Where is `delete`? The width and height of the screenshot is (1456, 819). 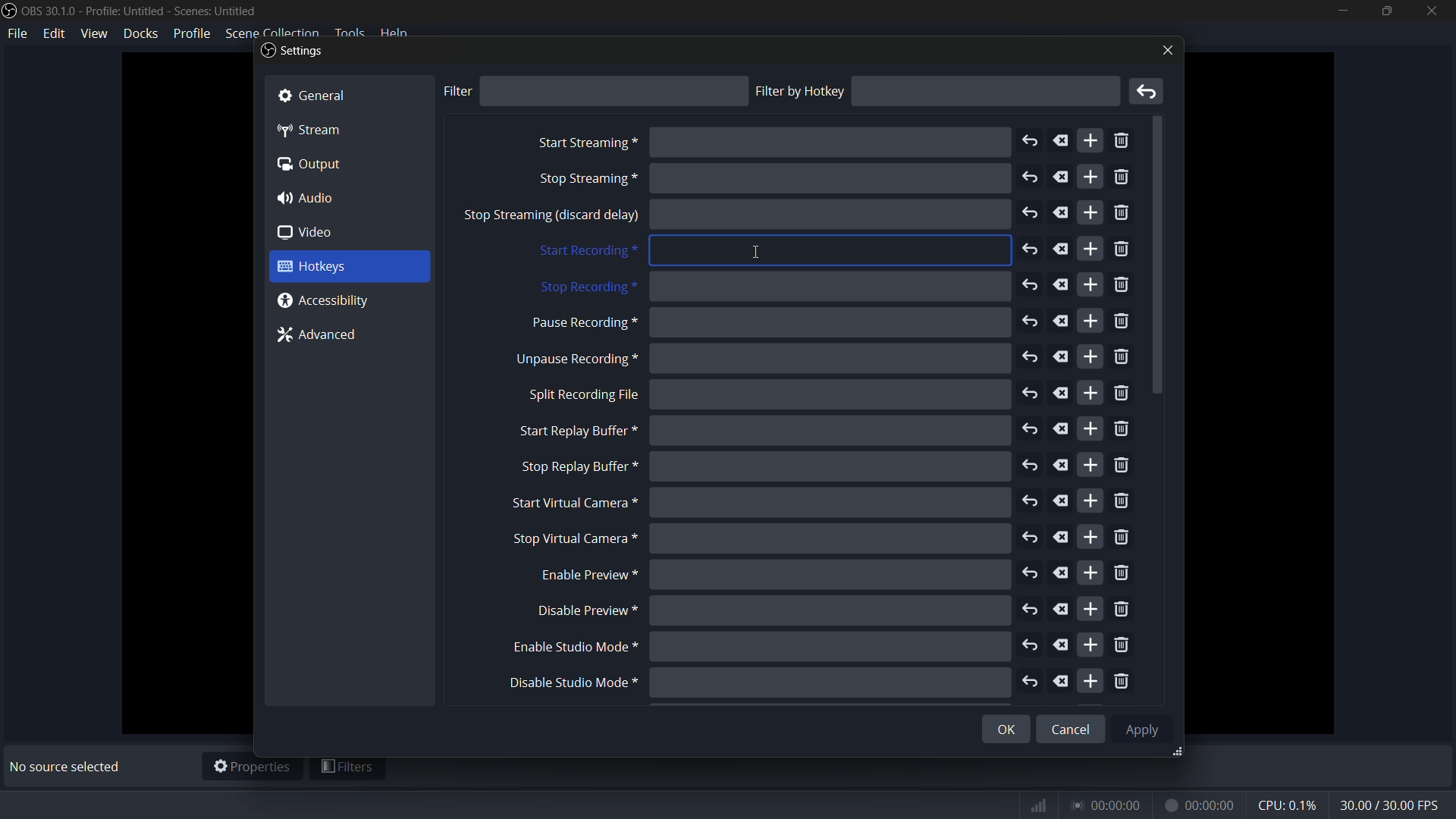 delete is located at coordinates (1062, 645).